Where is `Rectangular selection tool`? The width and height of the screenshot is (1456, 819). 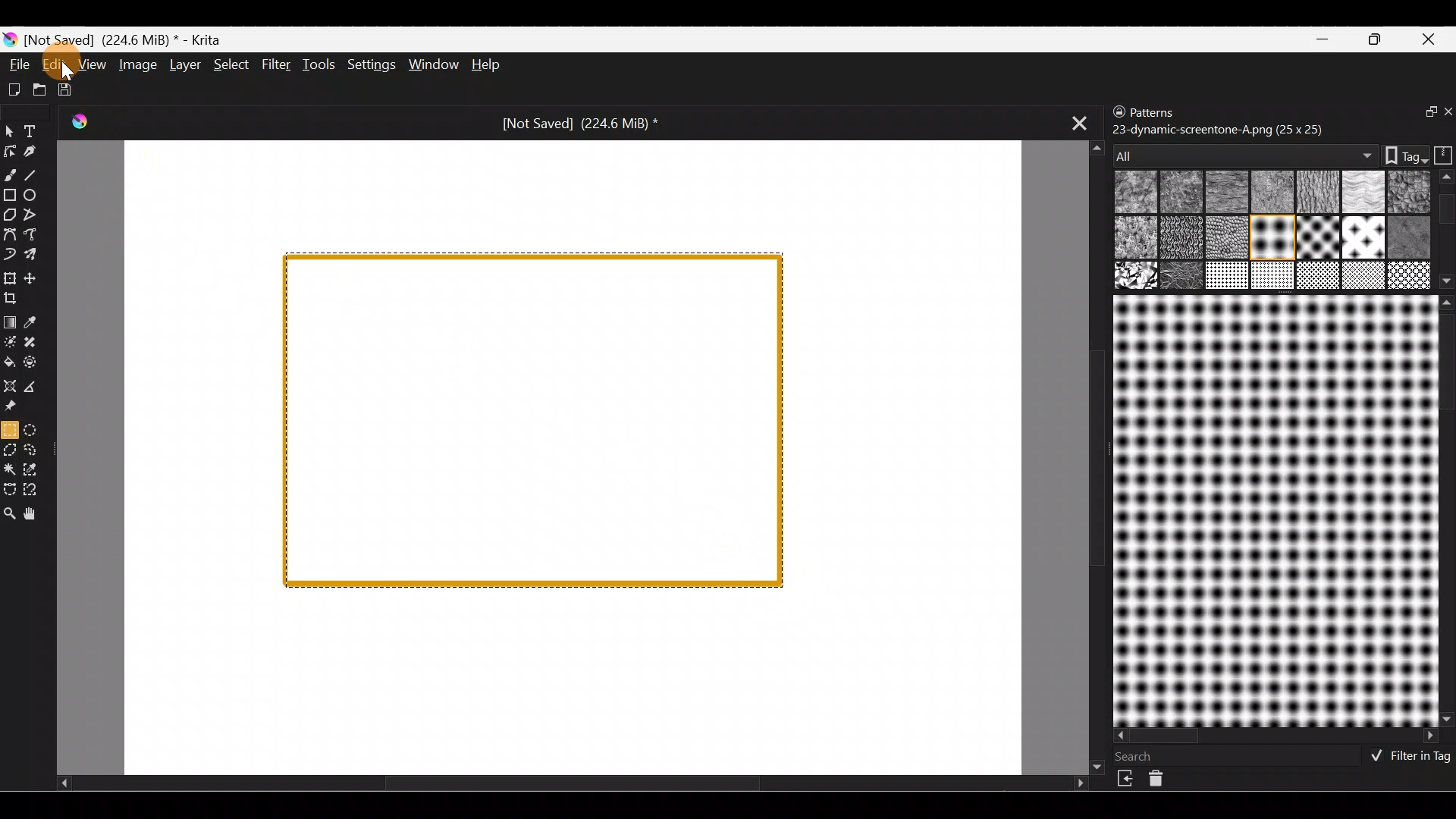
Rectangular selection tool is located at coordinates (9, 429).